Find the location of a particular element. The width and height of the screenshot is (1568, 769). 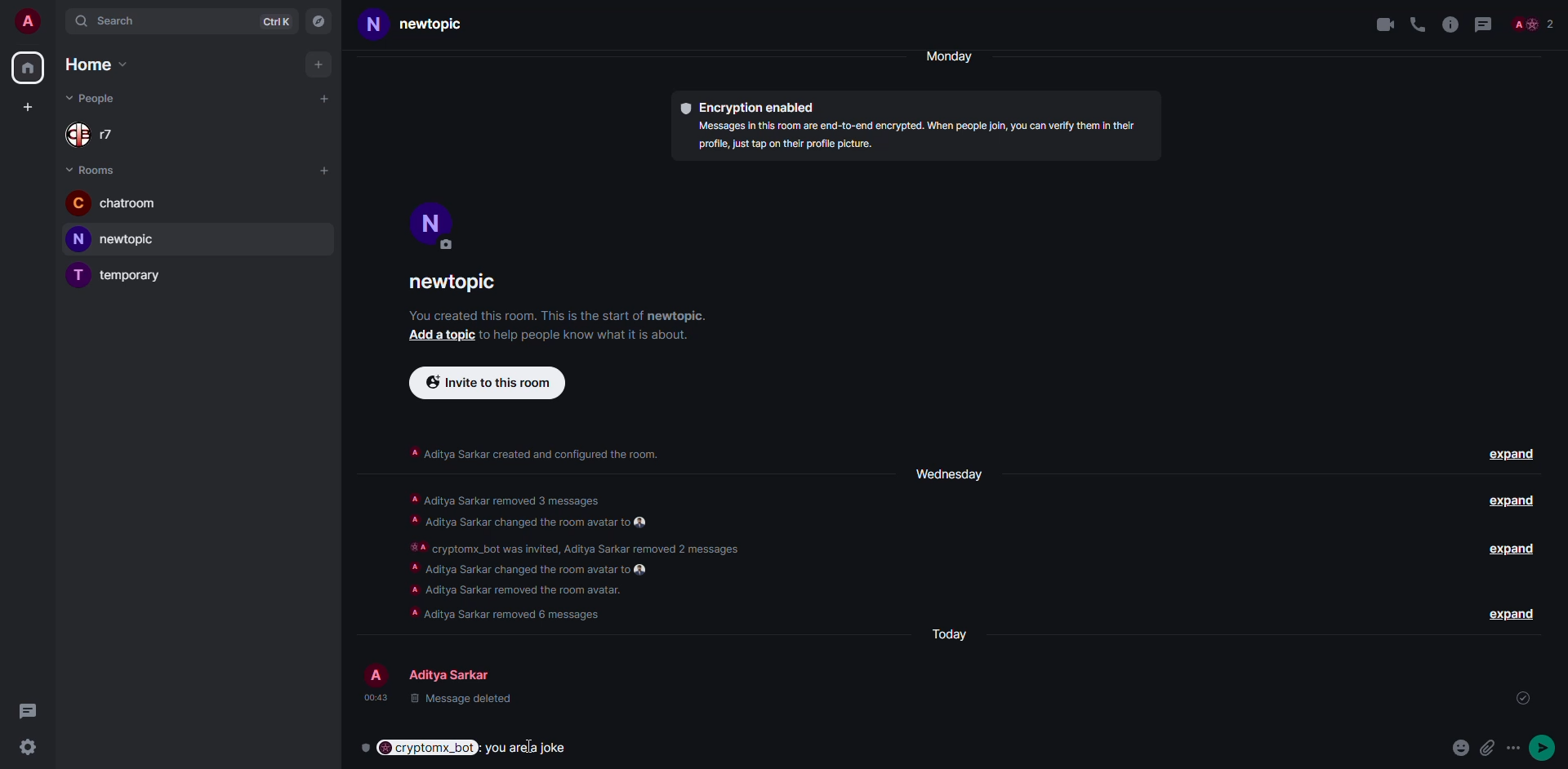

room is located at coordinates (113, 202).